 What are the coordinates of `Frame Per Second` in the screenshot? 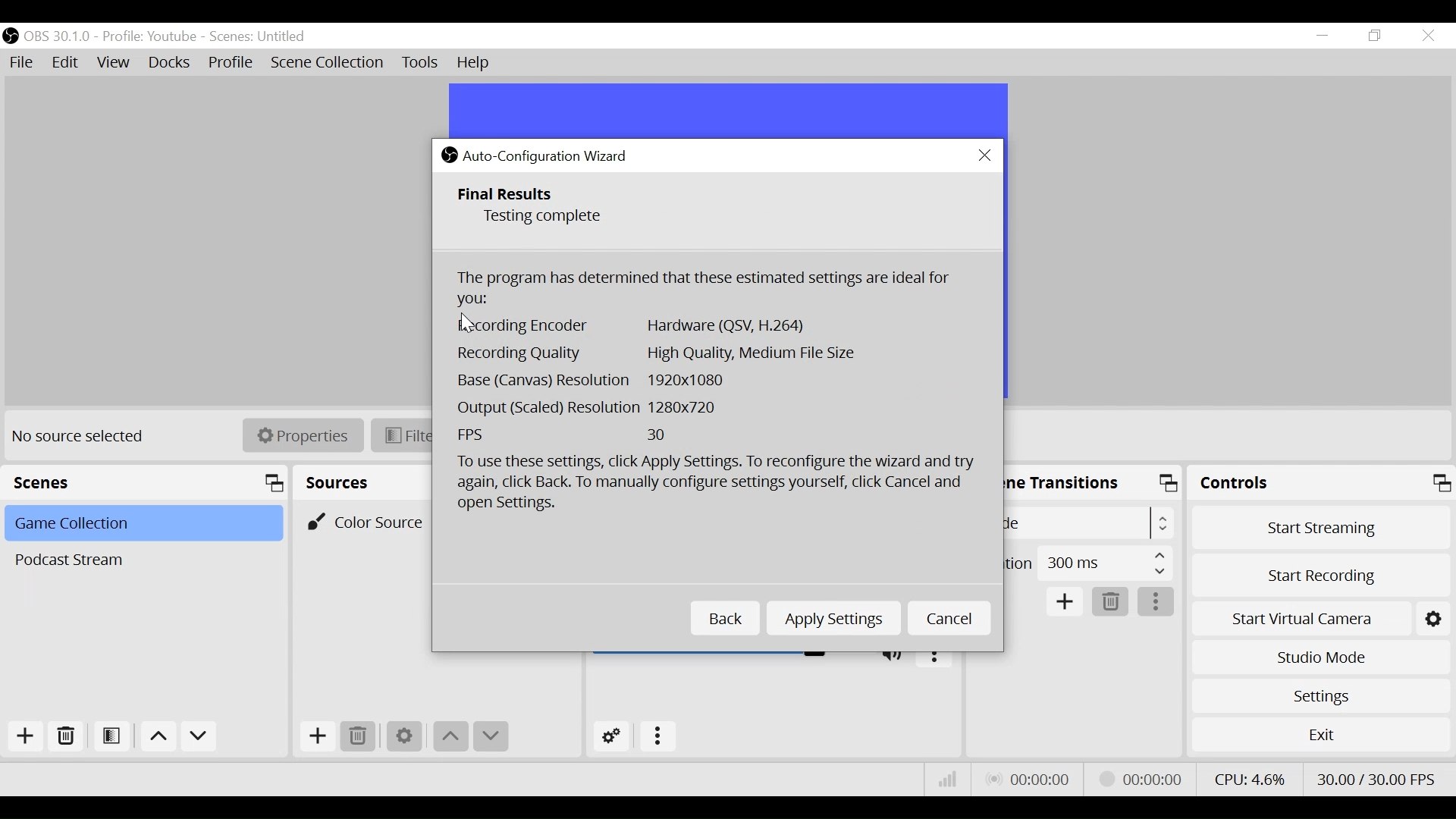 It's located at (1377, 779).